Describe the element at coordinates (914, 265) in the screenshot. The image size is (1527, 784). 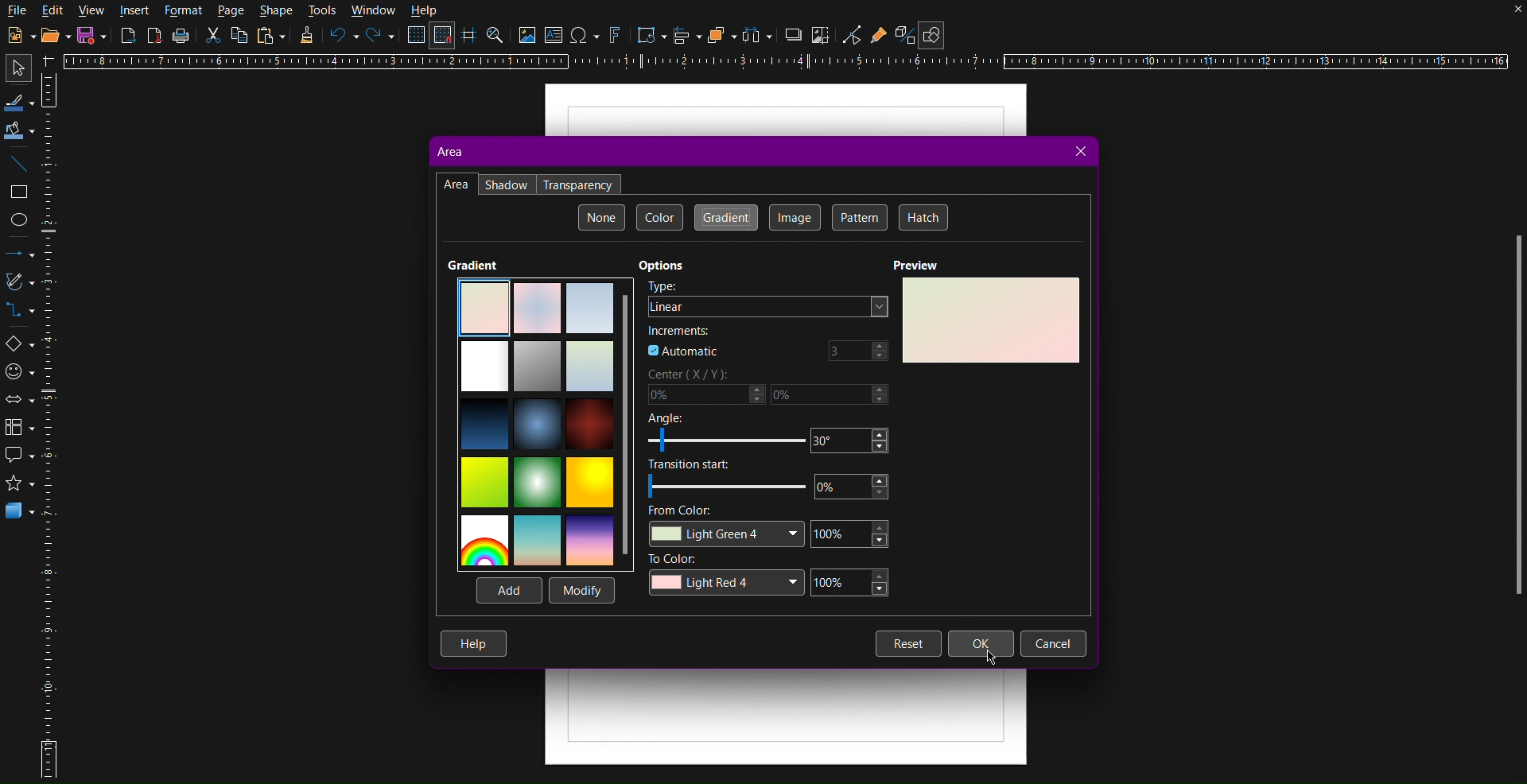
I see `` at that location.